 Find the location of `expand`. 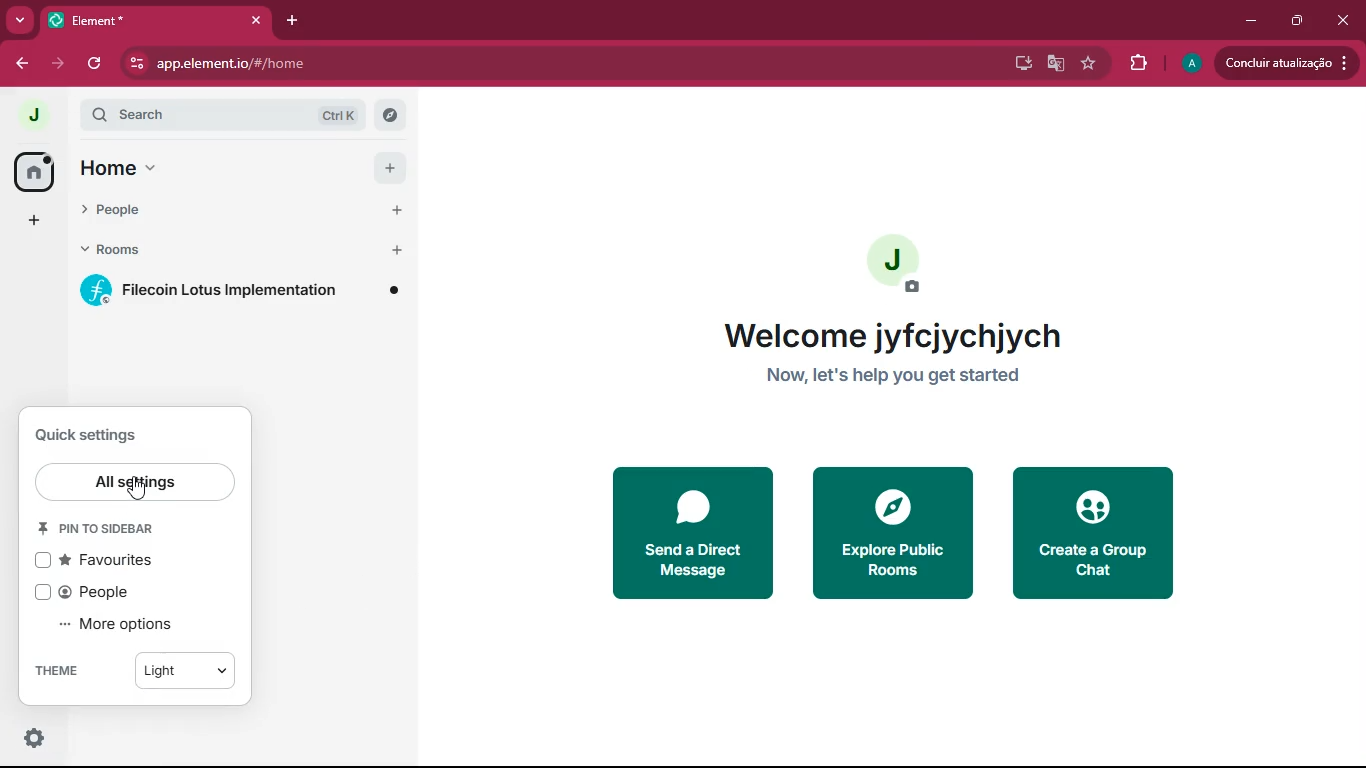

expand is located at coordinates (67, 116).